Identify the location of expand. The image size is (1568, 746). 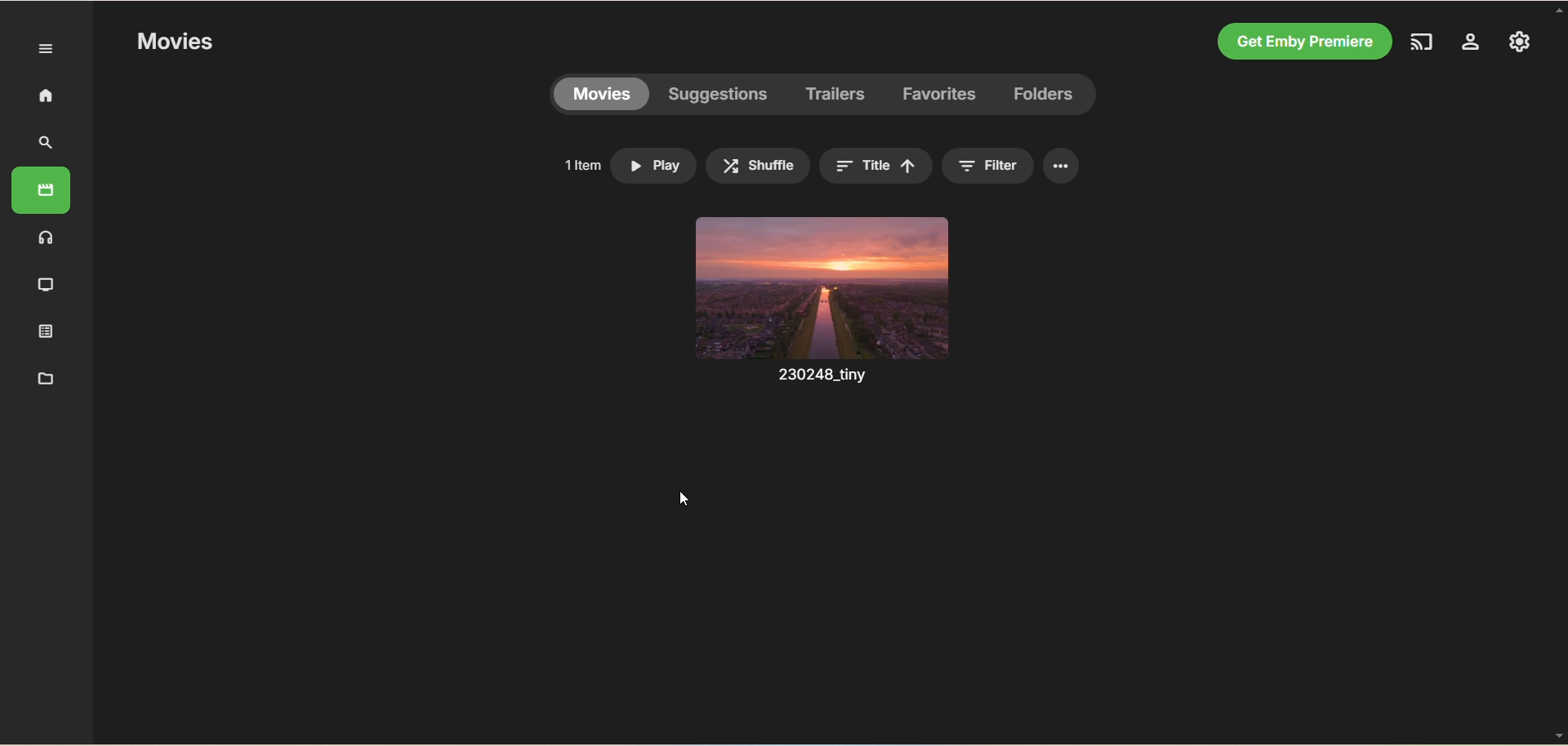
(42, 48).